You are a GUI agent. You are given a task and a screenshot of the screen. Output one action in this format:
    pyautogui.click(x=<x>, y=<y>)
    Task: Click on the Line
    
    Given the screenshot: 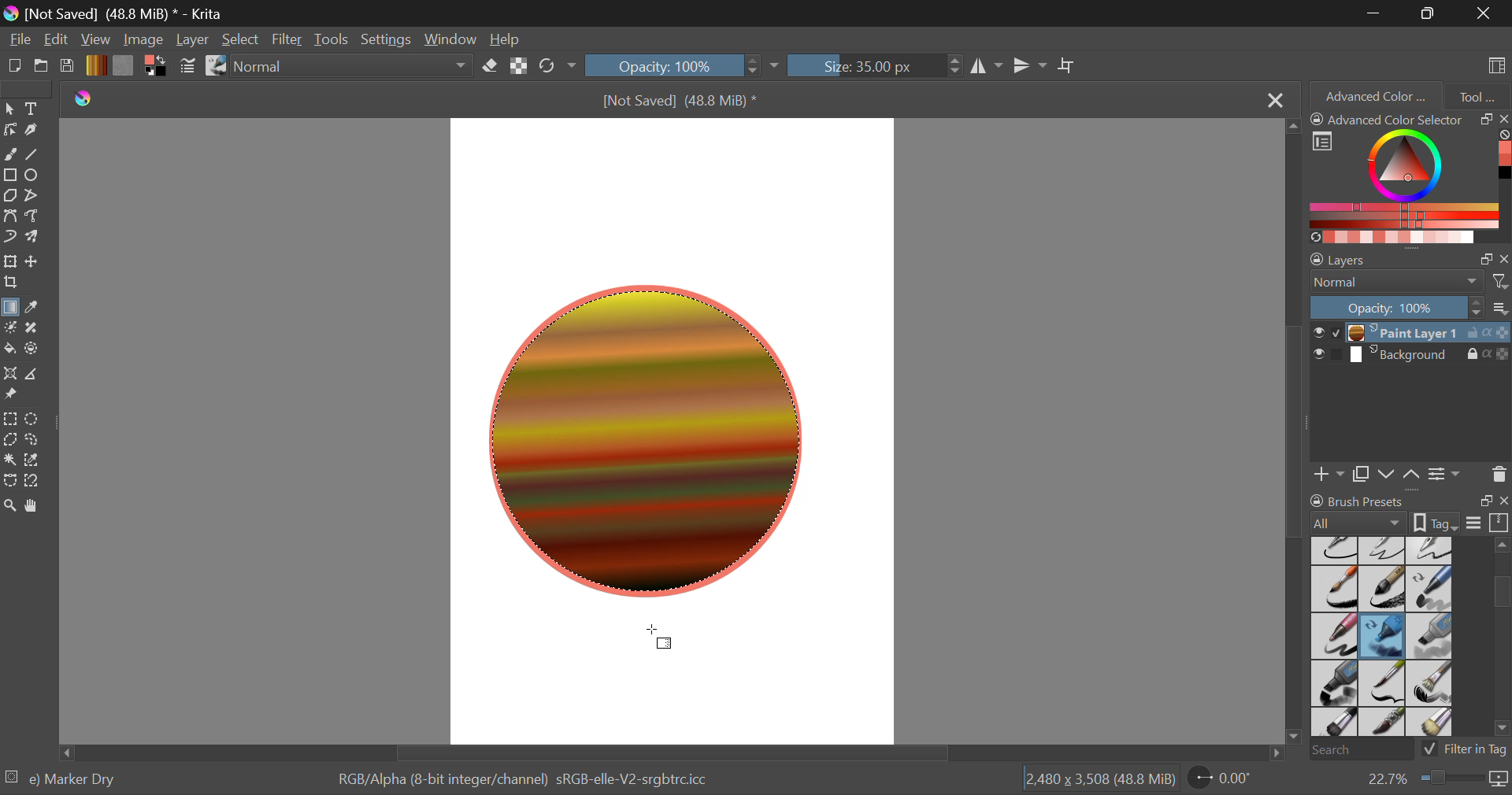 What is the action you would take?
    pyautogui.click(x=35, y=156)
    